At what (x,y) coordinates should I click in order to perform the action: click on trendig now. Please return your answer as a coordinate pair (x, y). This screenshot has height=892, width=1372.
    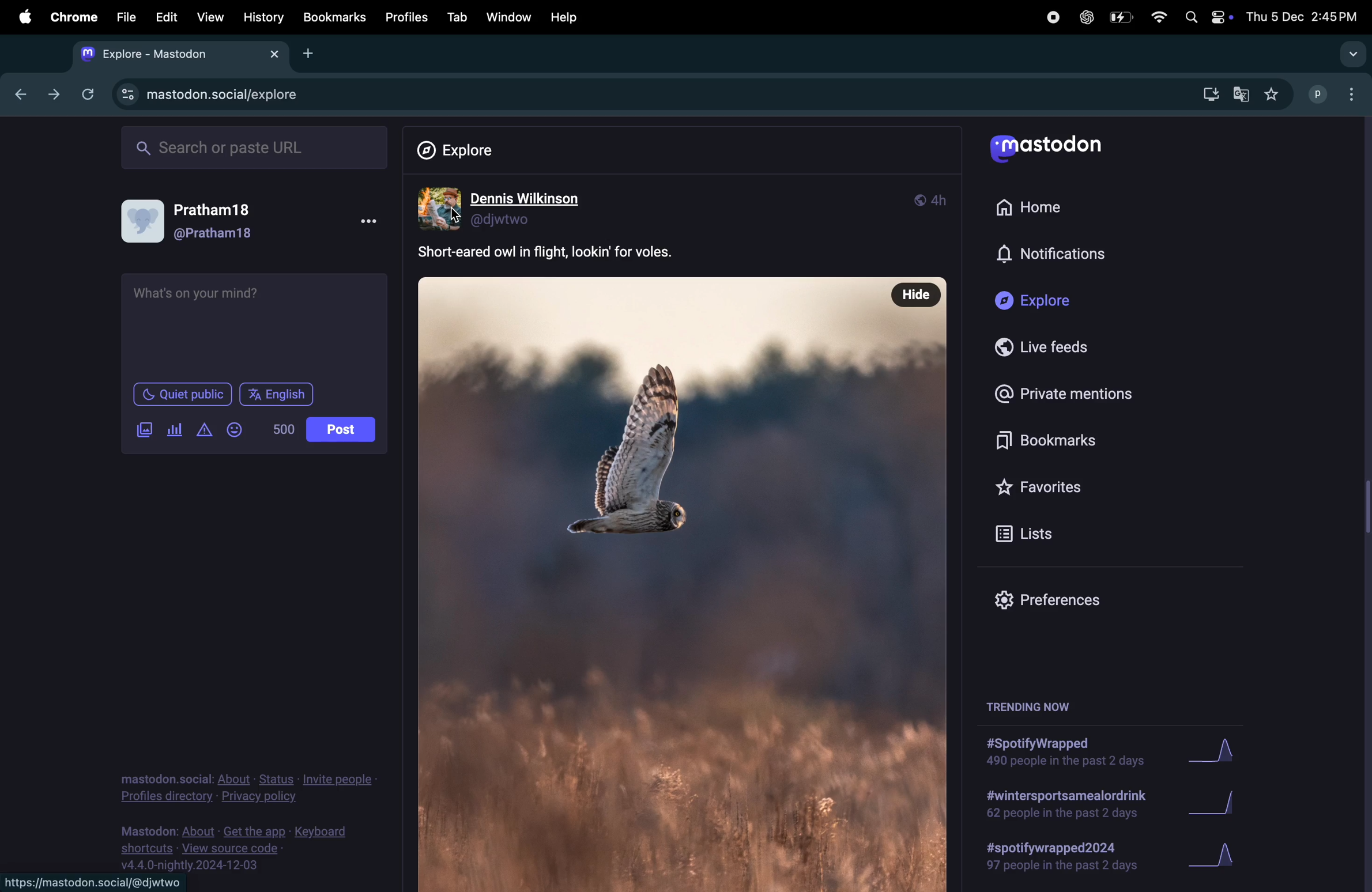
    Looking at the image, I should click on (1041, 710).